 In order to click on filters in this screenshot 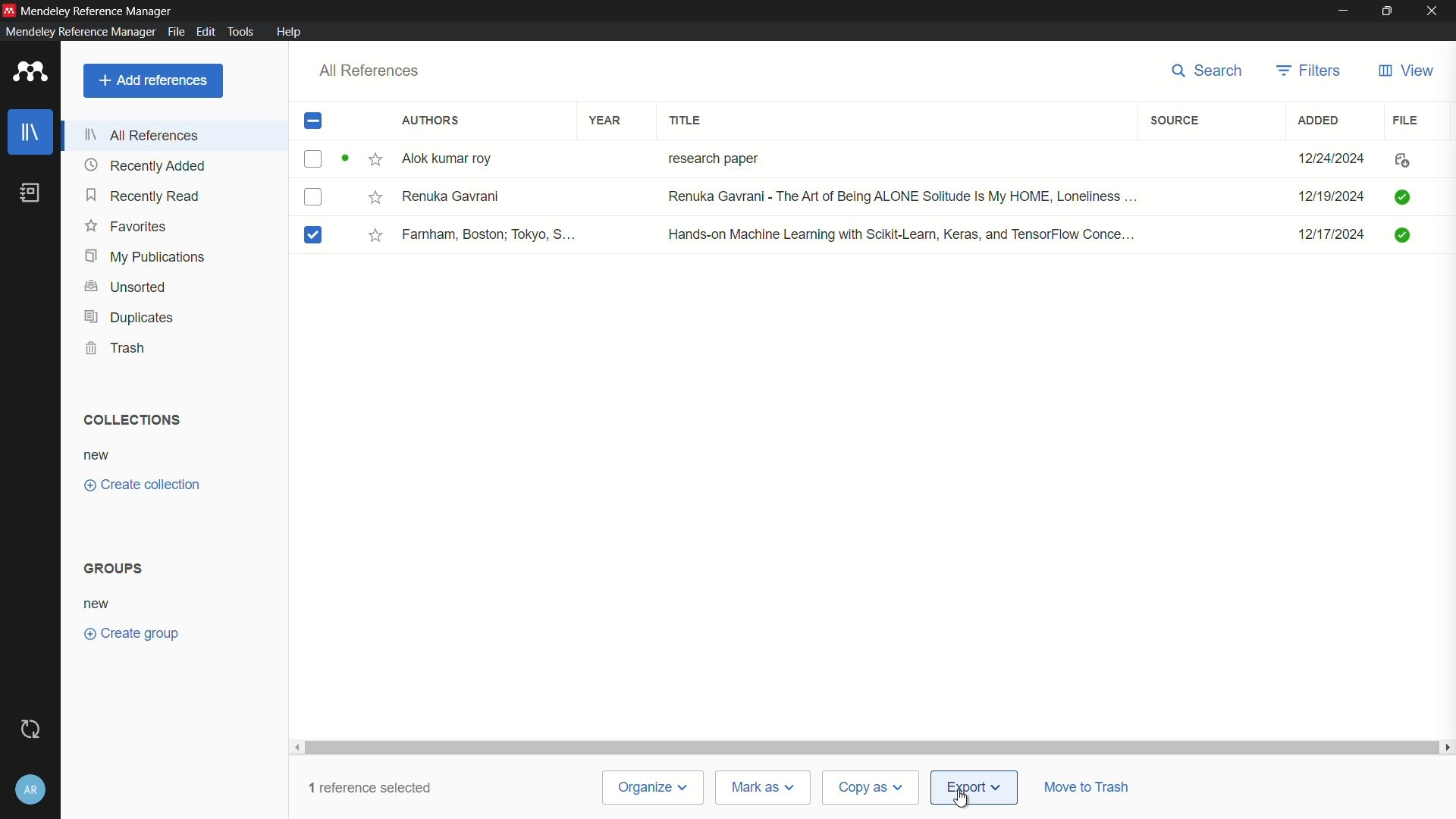, I will do `click(1307, 71)`.